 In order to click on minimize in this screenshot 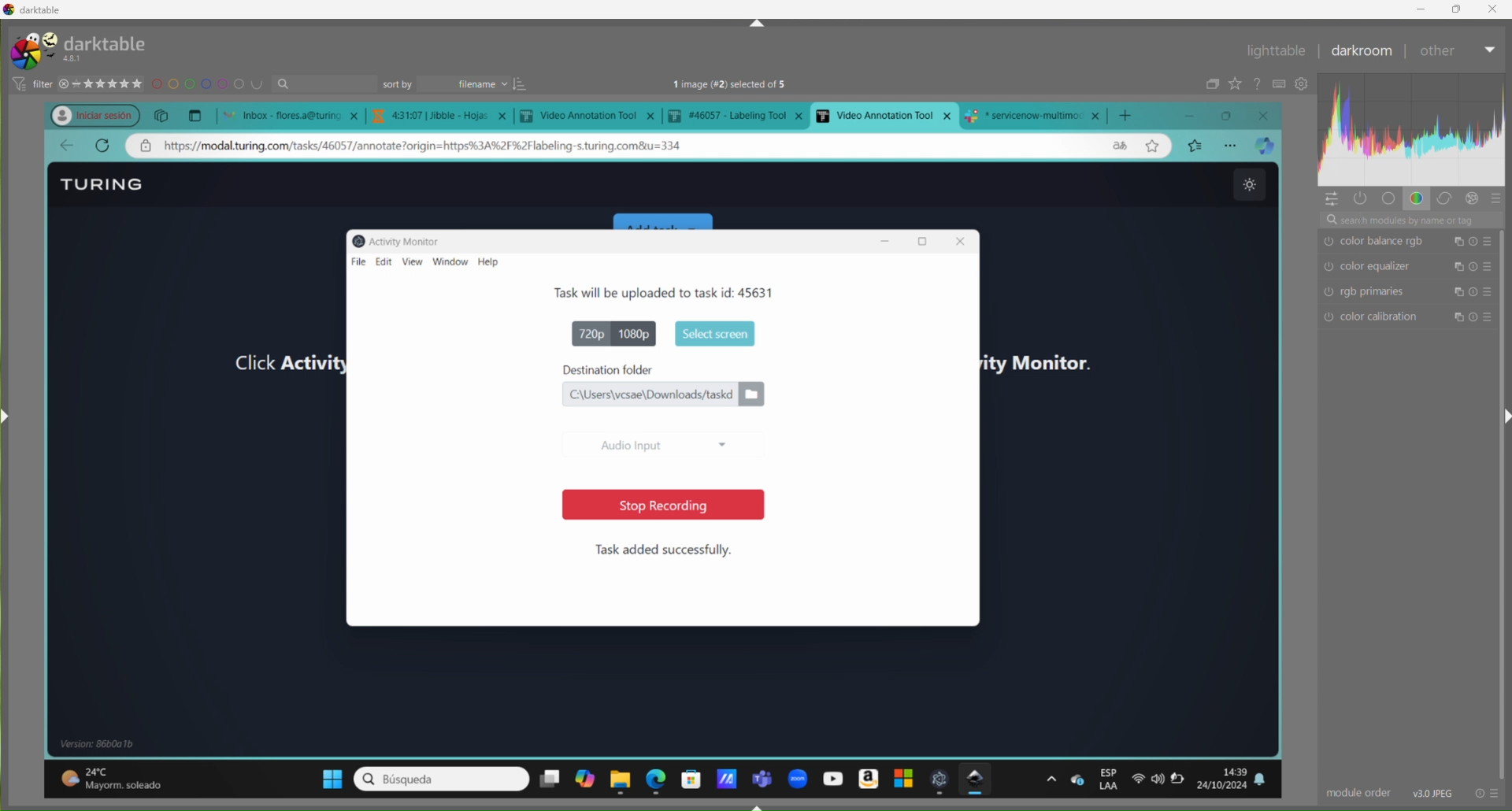, I will do `click(1199, 115)`.